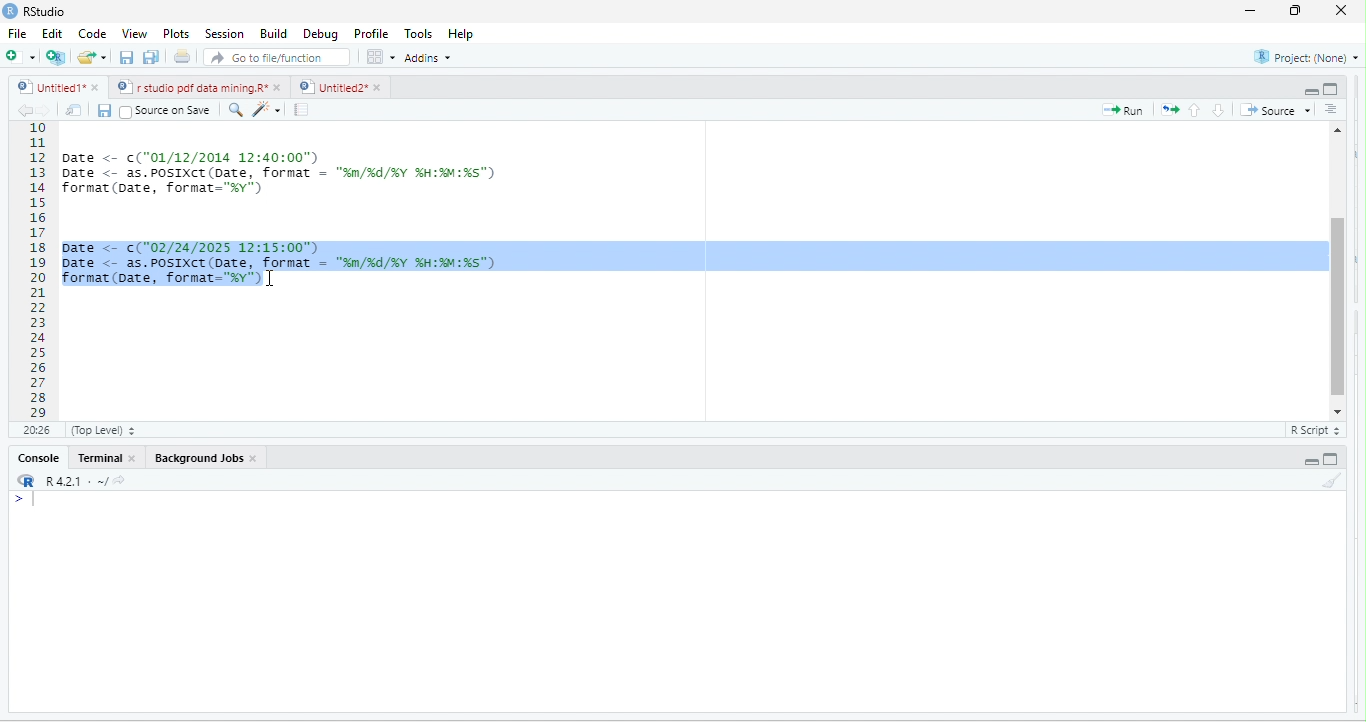  I want to click on Edit, so click(52, 36).